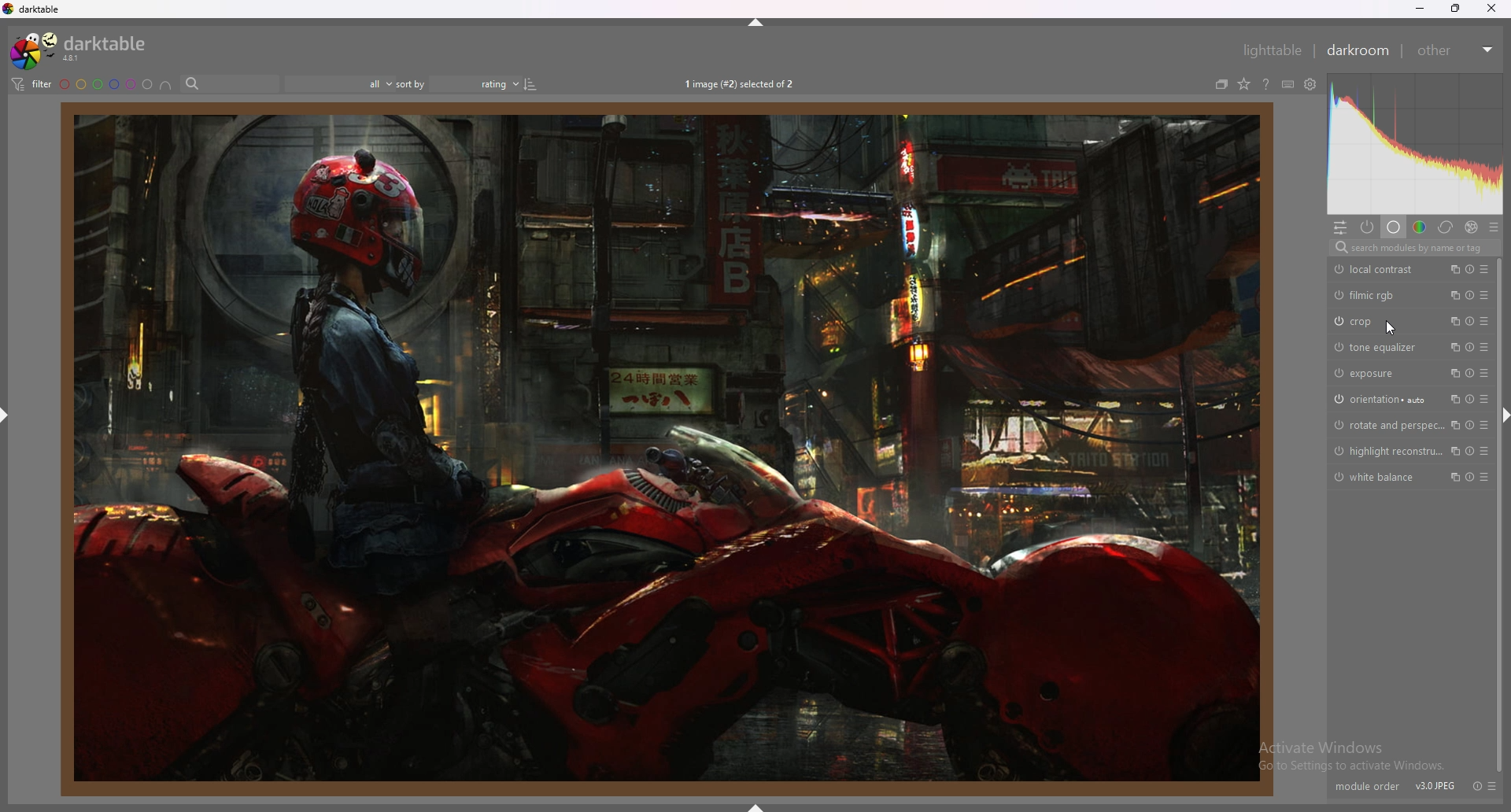 The image size is (1511, 812). I want to click on reset, so click(1472, 348).